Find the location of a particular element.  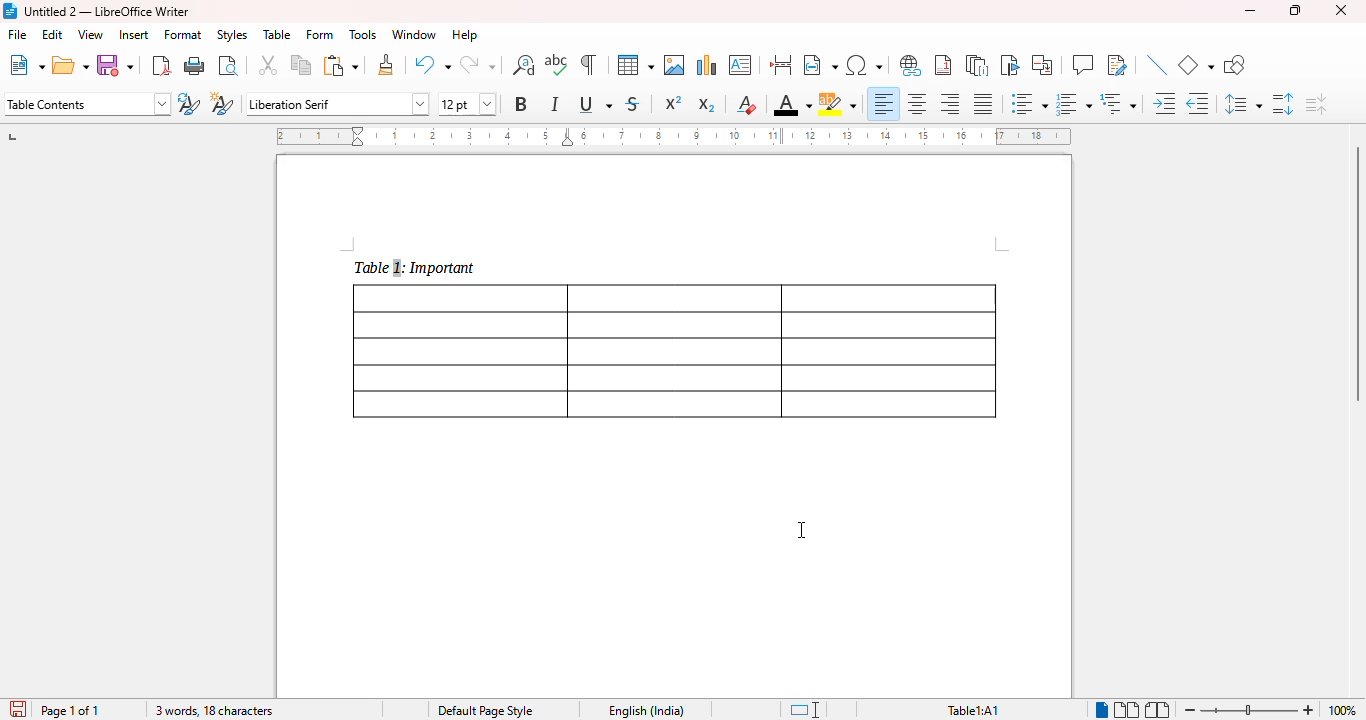

table is located at coordinates (277, 34).